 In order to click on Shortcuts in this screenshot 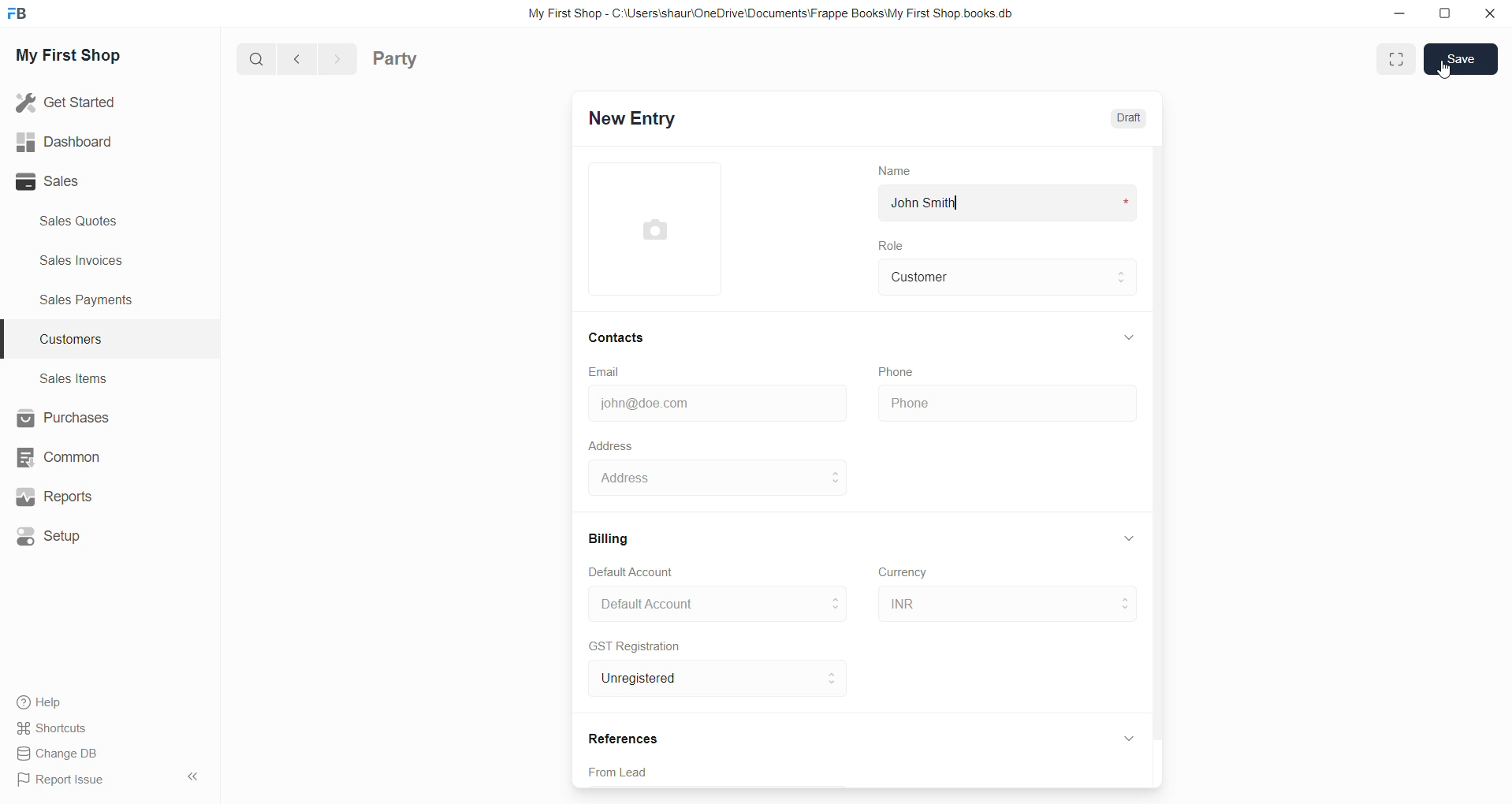, I will do `click(53, 728)`.